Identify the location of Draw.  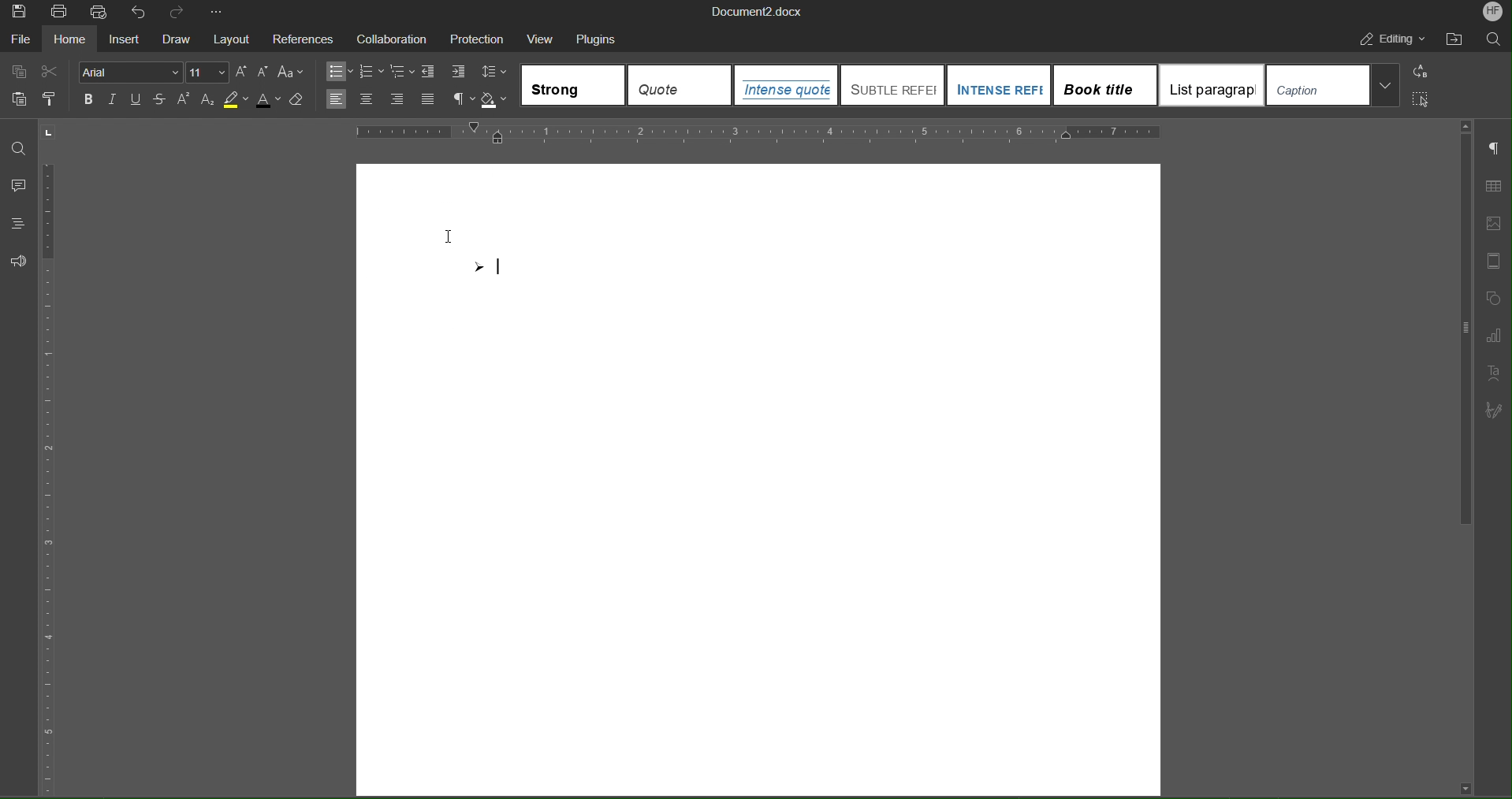
(177, 40).